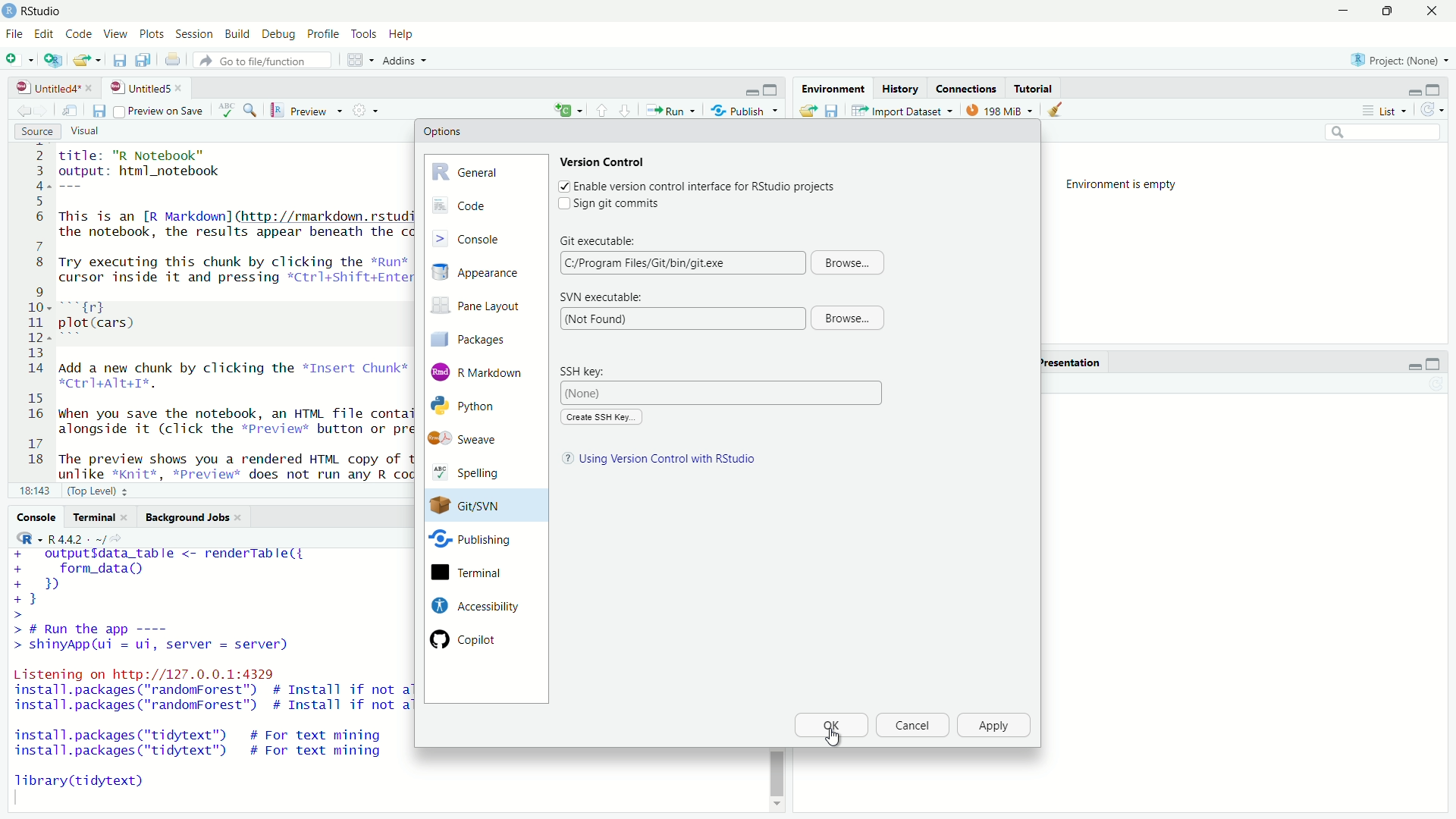  Describe the element at coordinates (485, 170) in the screenshot. I see `General` at that location.